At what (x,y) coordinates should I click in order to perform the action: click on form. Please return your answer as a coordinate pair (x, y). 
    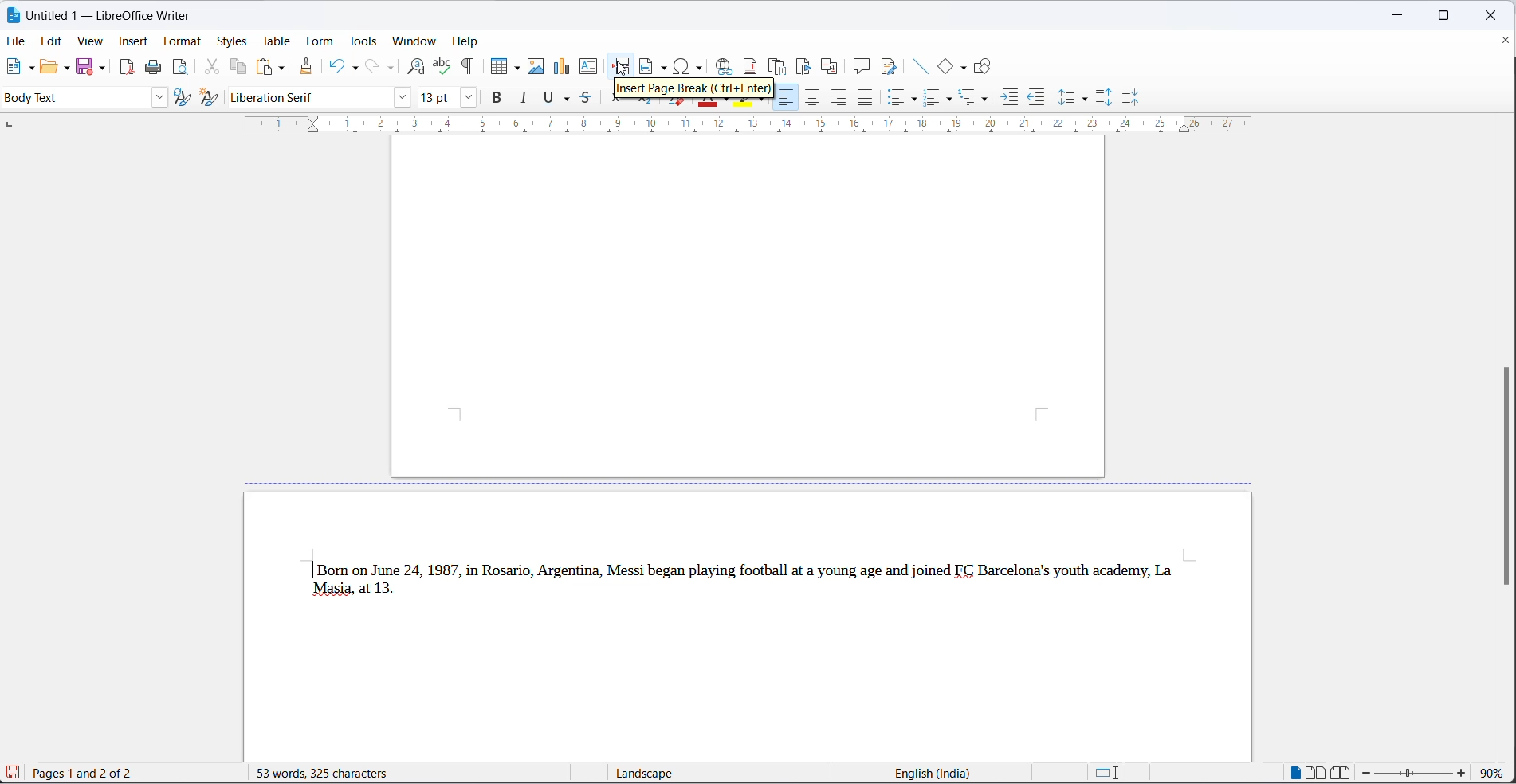
    Looking at the image, I should click on (322, 41).